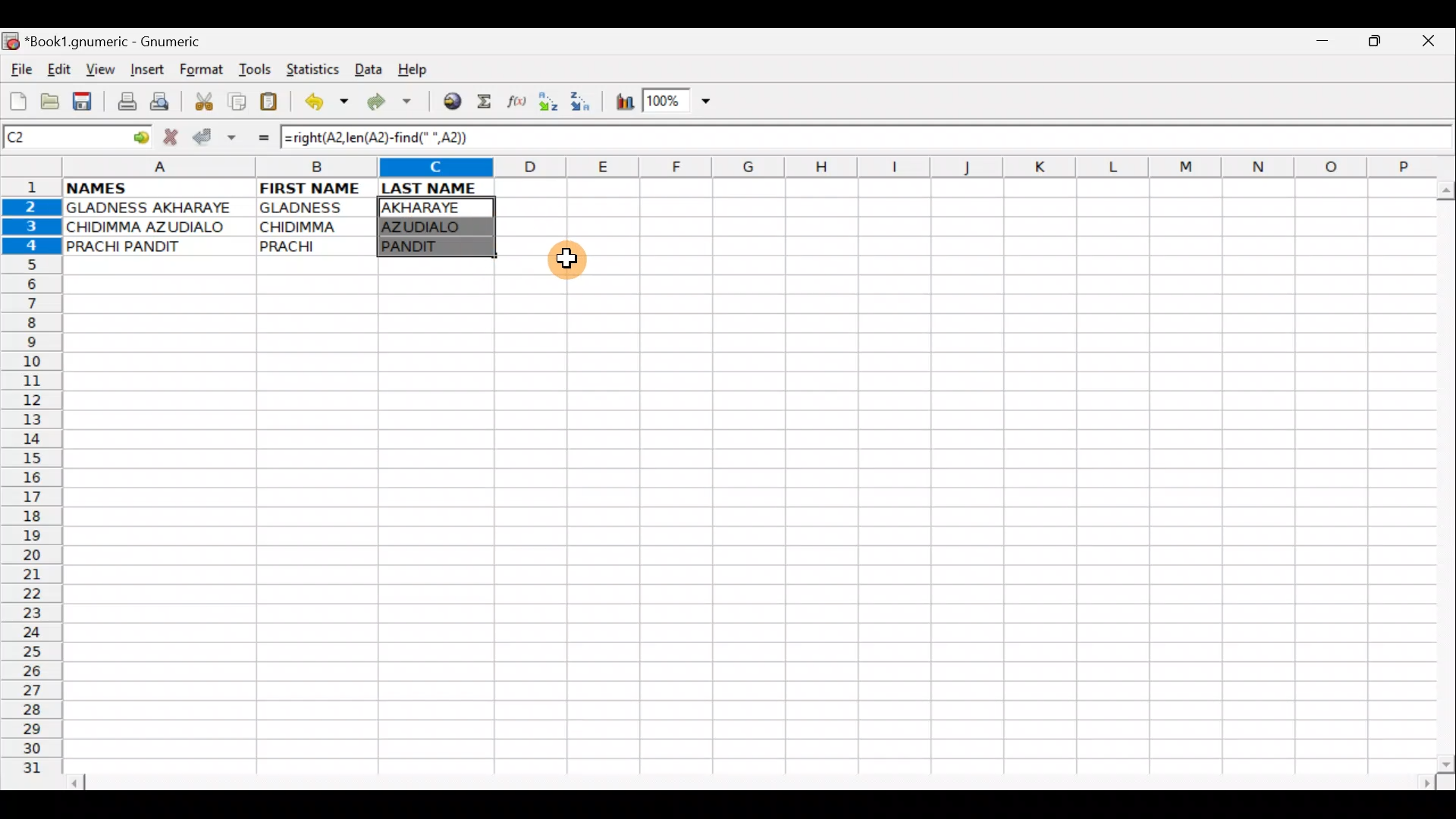 This screenshot has height=819, width=1456. Describe the element at coordinates (742, 524) in the screenshot. I see `Cells` at that location.